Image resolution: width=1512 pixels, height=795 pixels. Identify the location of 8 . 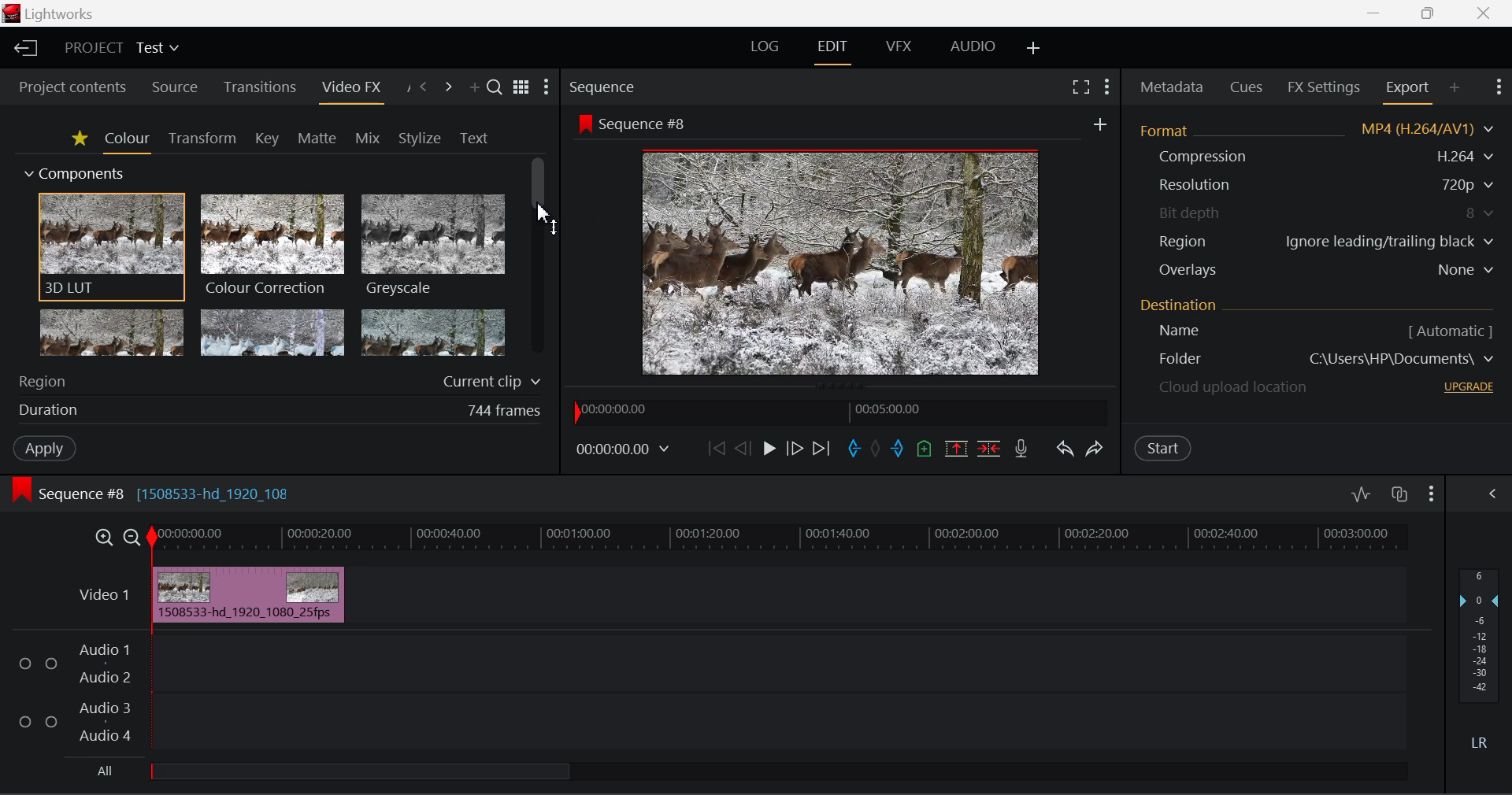
(1481, 213).